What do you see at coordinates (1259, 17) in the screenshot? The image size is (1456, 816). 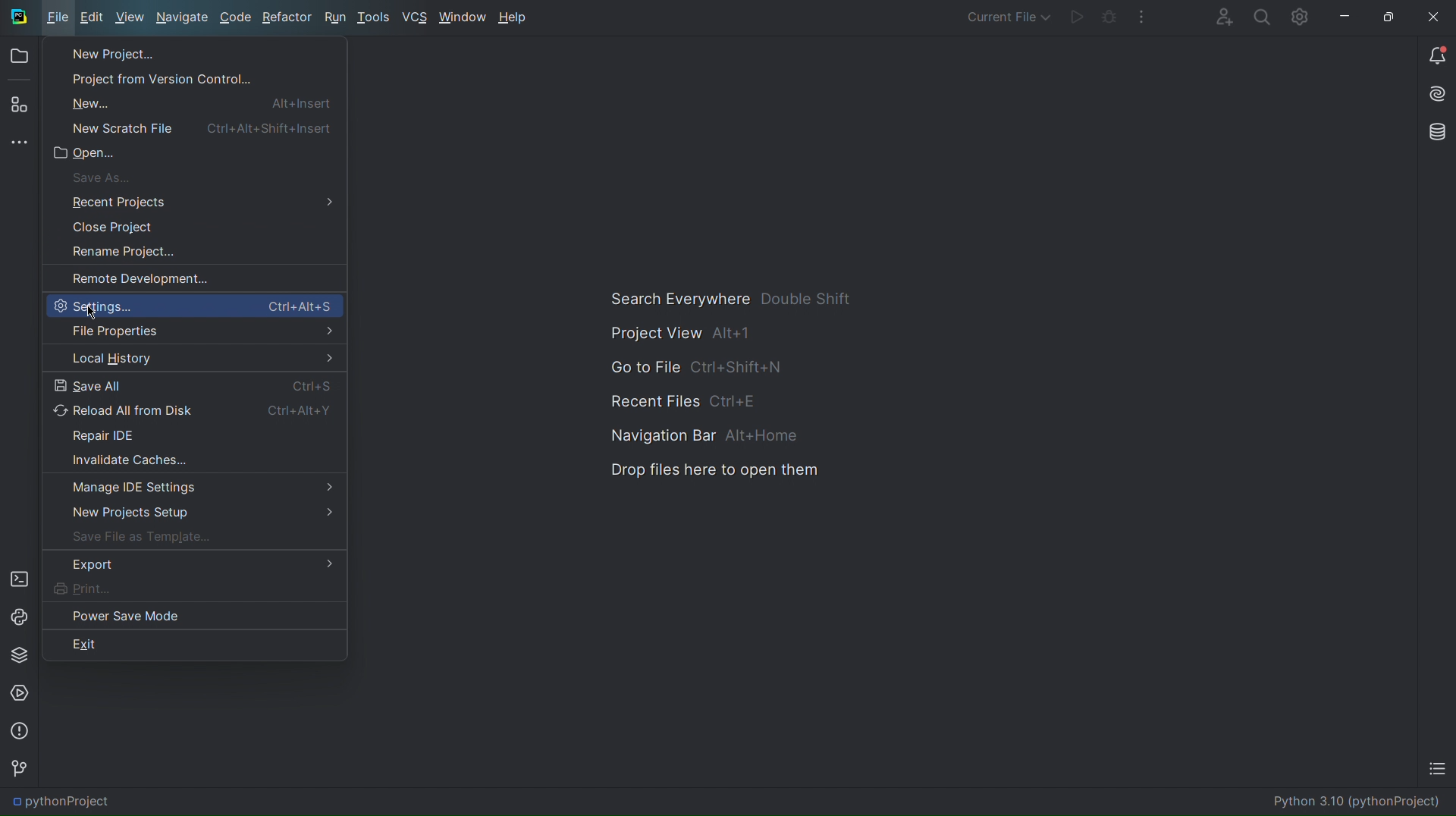 I see `Search` at bounding box center [1259, 17].